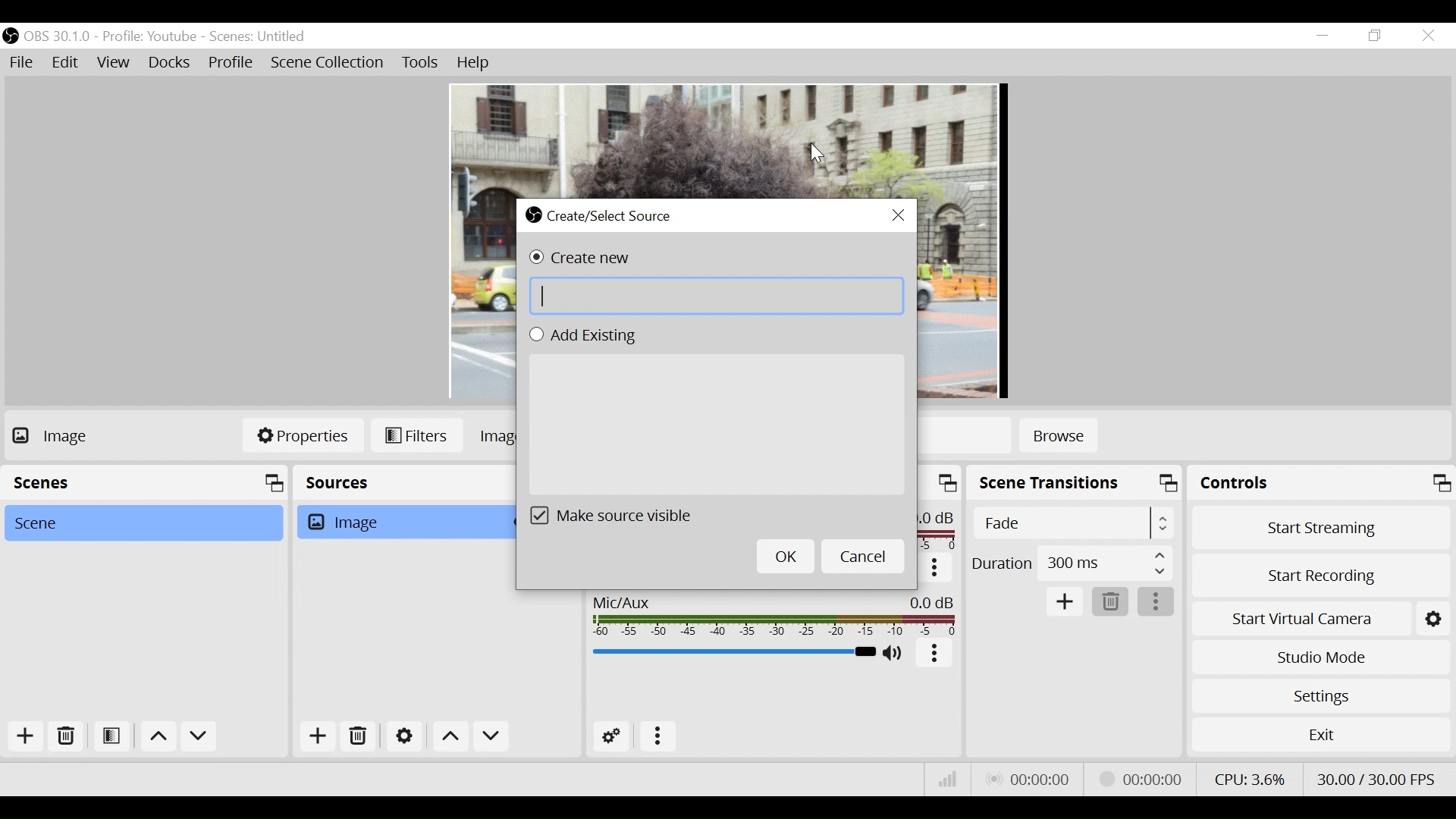 This screenshot has width=1456, height=819. Describe the element at coordinates (658, 736) in the screenshot. I see `more options` at that location.